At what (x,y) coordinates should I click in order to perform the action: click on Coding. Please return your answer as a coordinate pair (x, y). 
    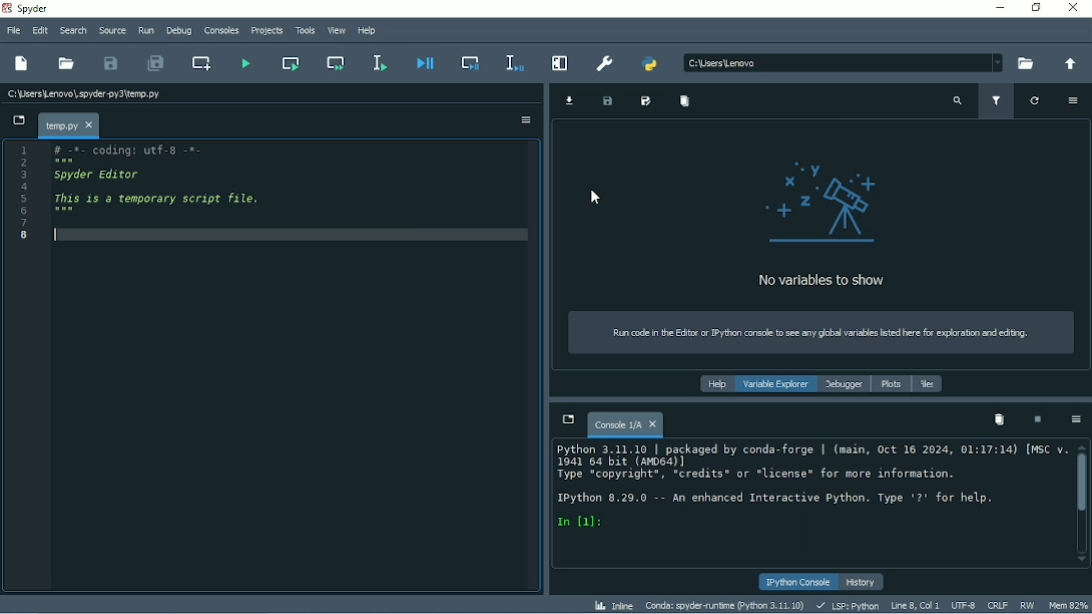
    Looking at the image, I should click on (123, 150).